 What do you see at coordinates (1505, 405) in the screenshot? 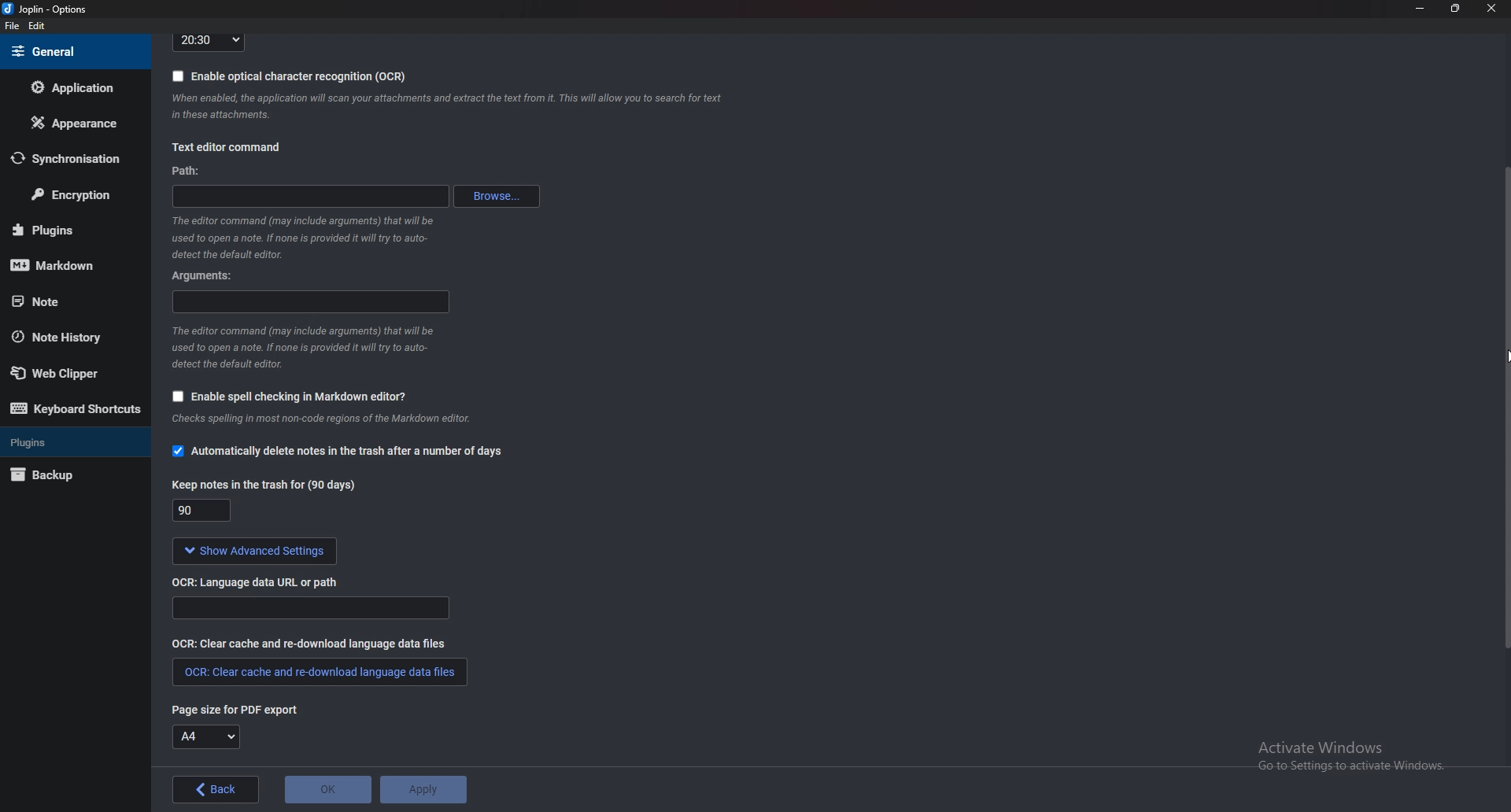
I see `Scroll bar` at bounding box center [1505, 405].